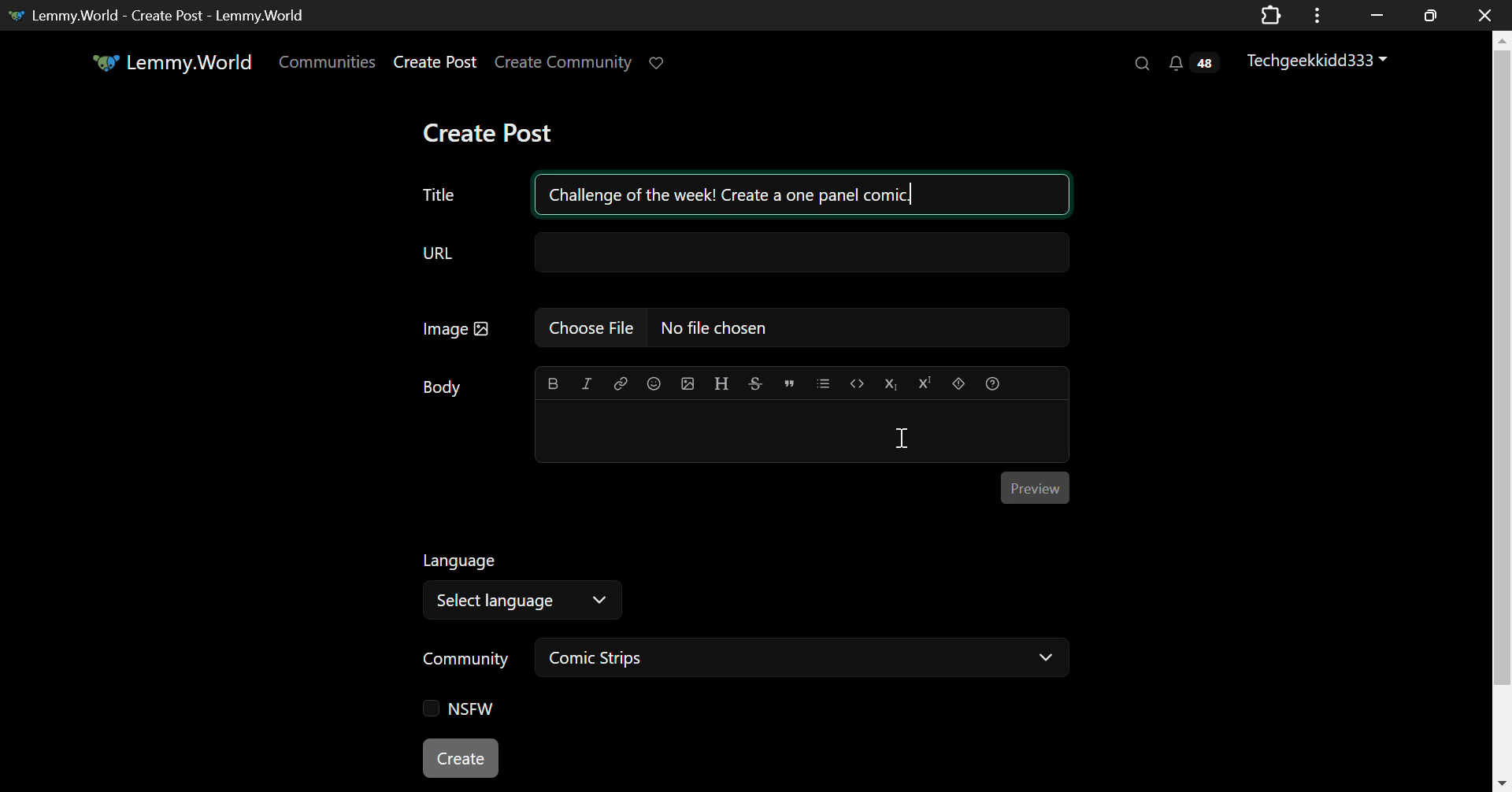 This screenshot has width=1512, height=792. What do you see at coordinates (658, 63) in the screenshot?
I see `Donate to Lemmy` at bounding box center [658, 63].